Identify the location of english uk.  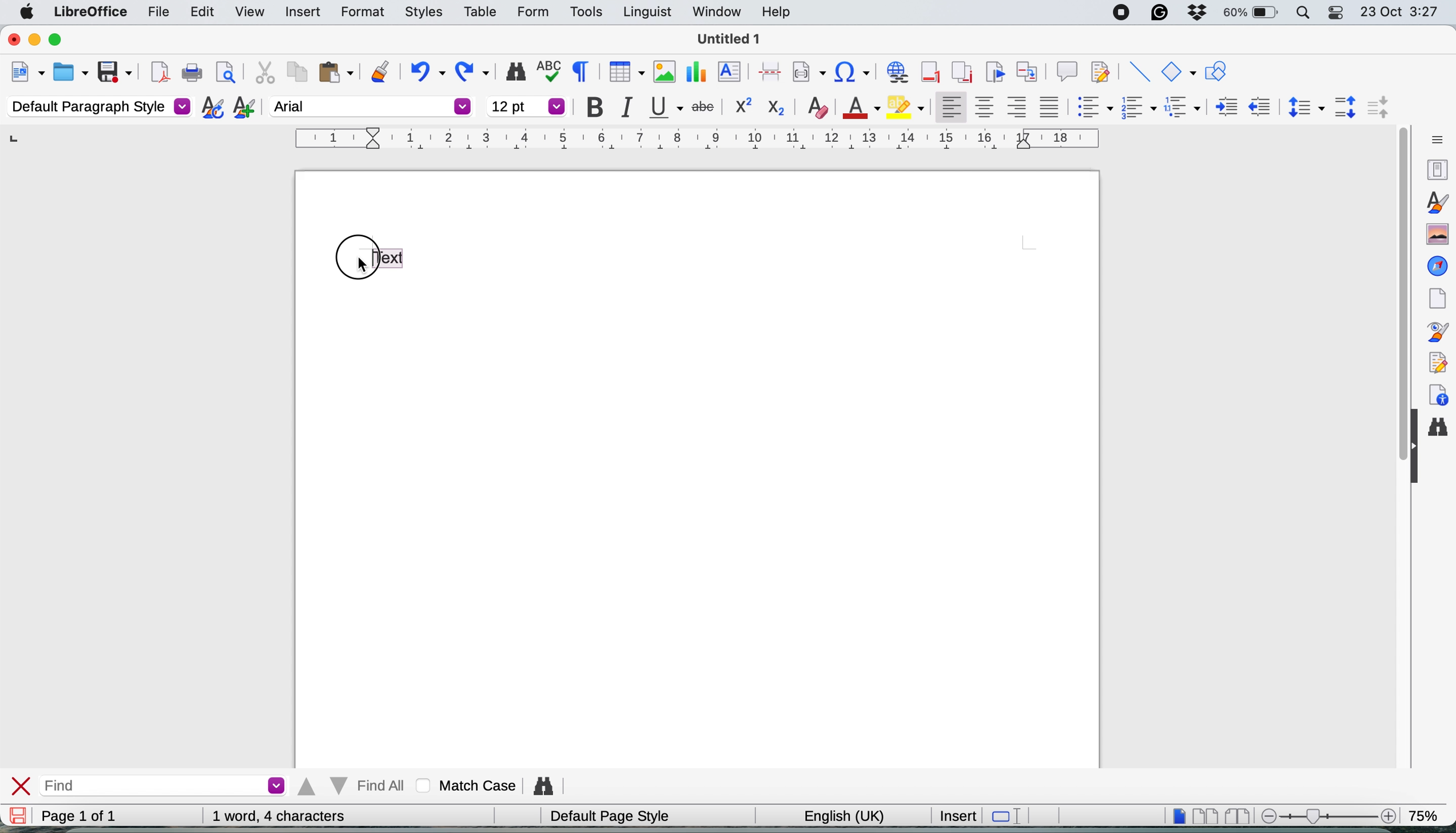
(837, 815).